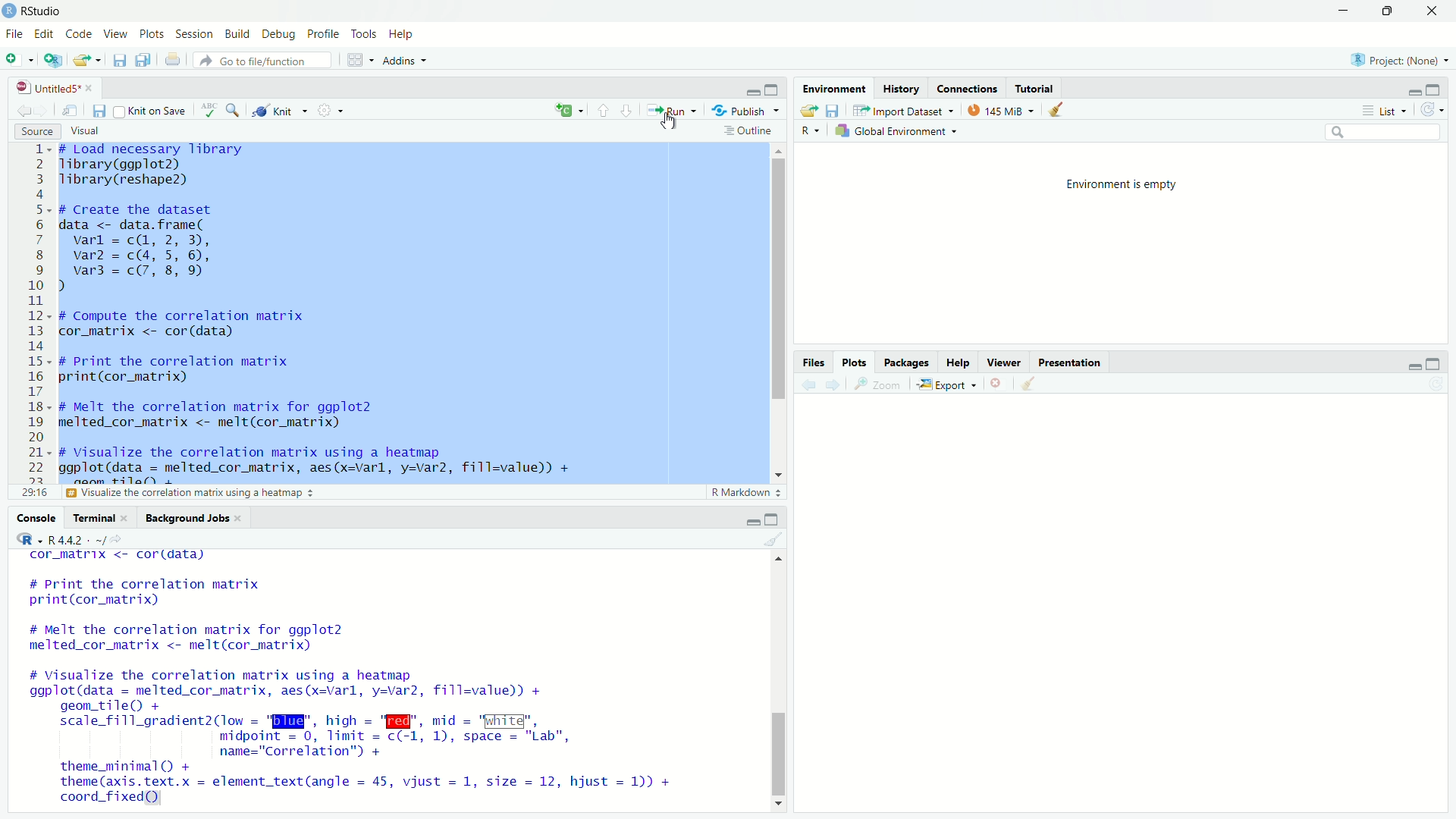  Describe the element at coordinates (777, 538) in the screenshot. I see `clear console` at that location.